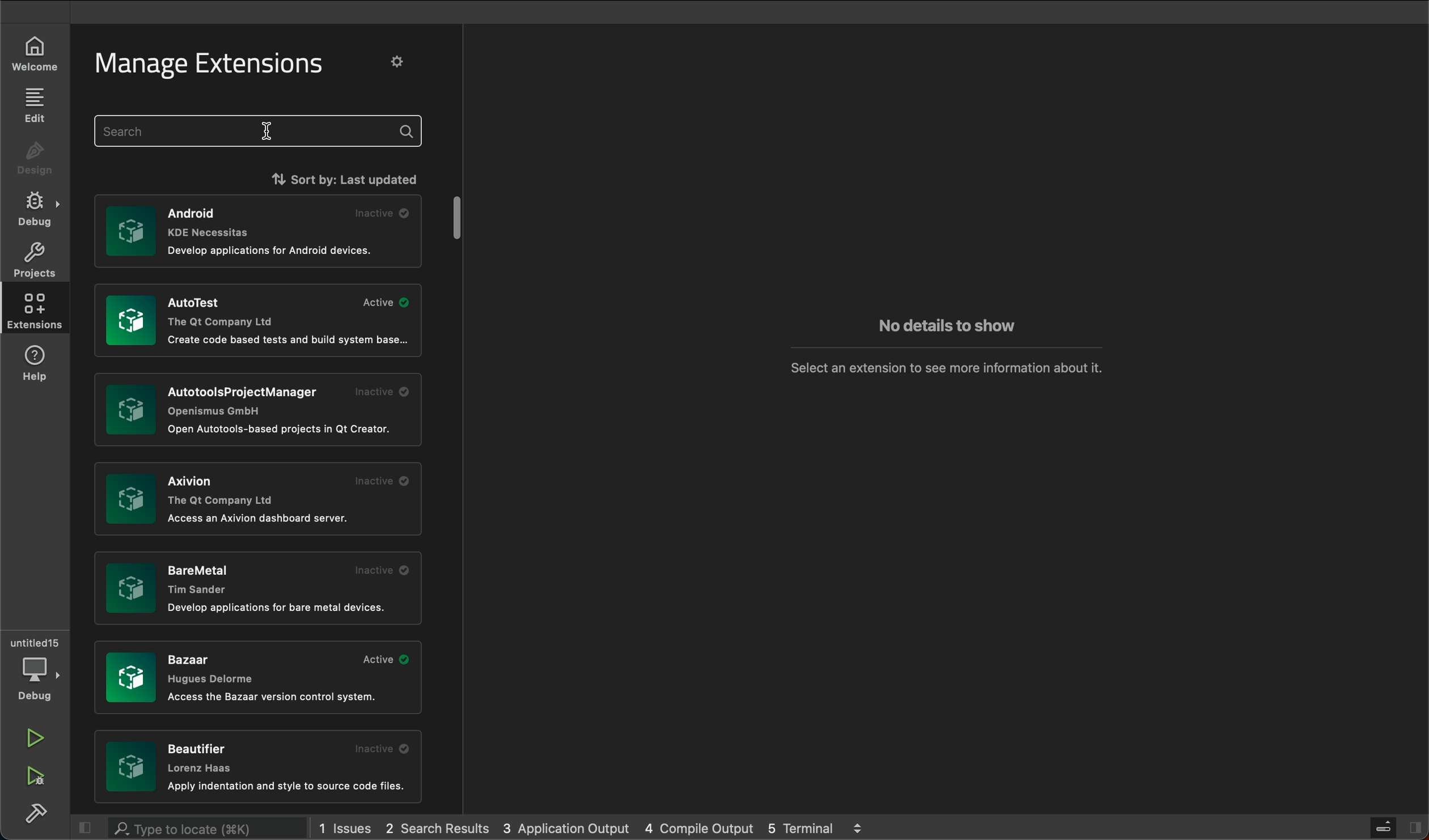 Image resolution: width=1429 pixels, height=840 pixels. What do you see at coordinates (1396, 828) in the screenshot?
I see `open sidebar` at bounding box center [1396, 828].